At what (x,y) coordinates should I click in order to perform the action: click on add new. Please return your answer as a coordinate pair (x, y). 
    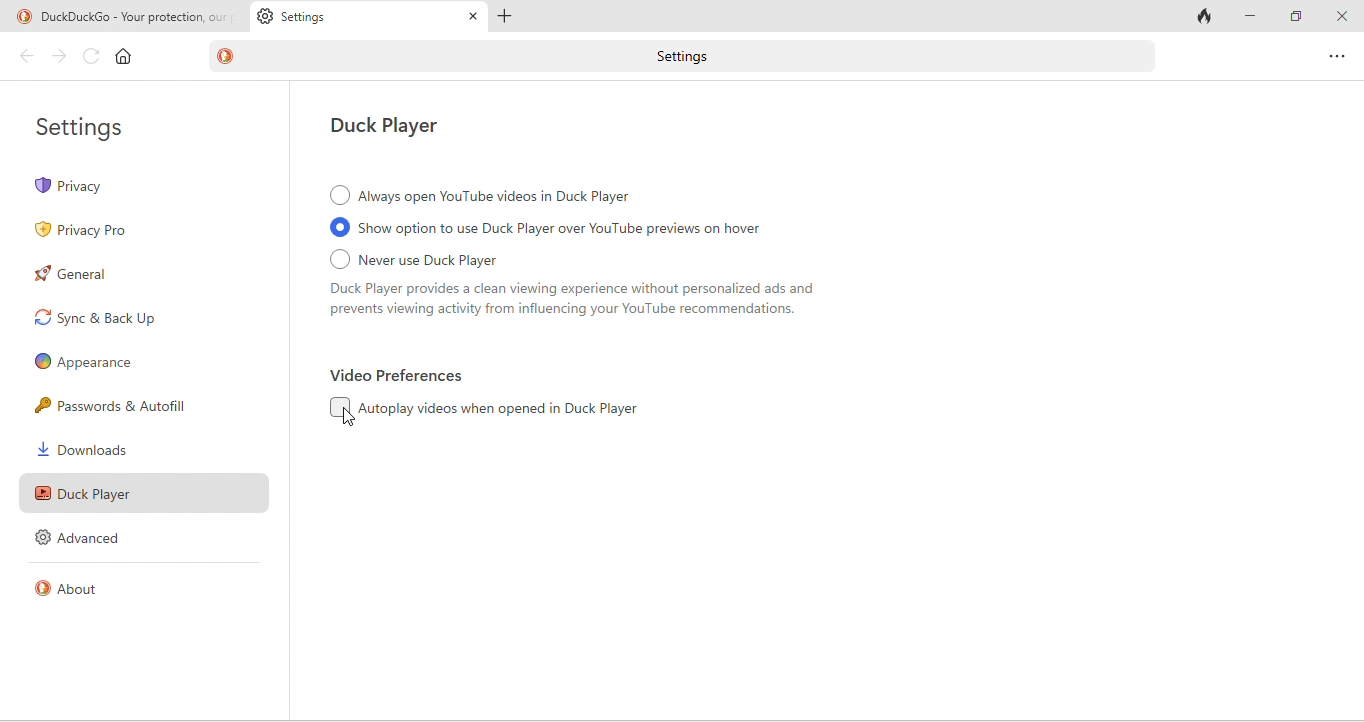
    Looking at the image, I should click on (513, 17).